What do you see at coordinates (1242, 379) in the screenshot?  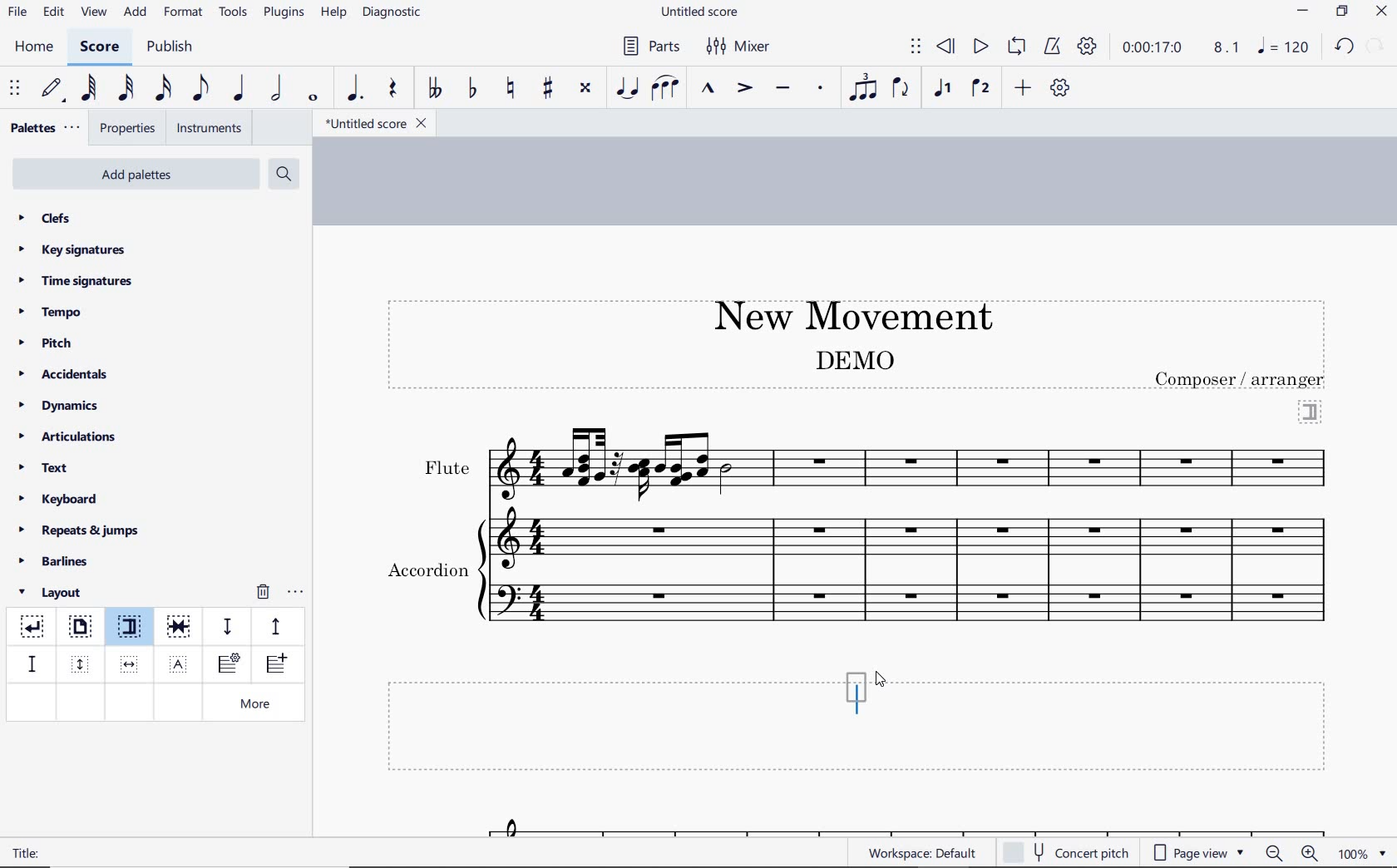 I see `text` at bounding box center [1242, 379].